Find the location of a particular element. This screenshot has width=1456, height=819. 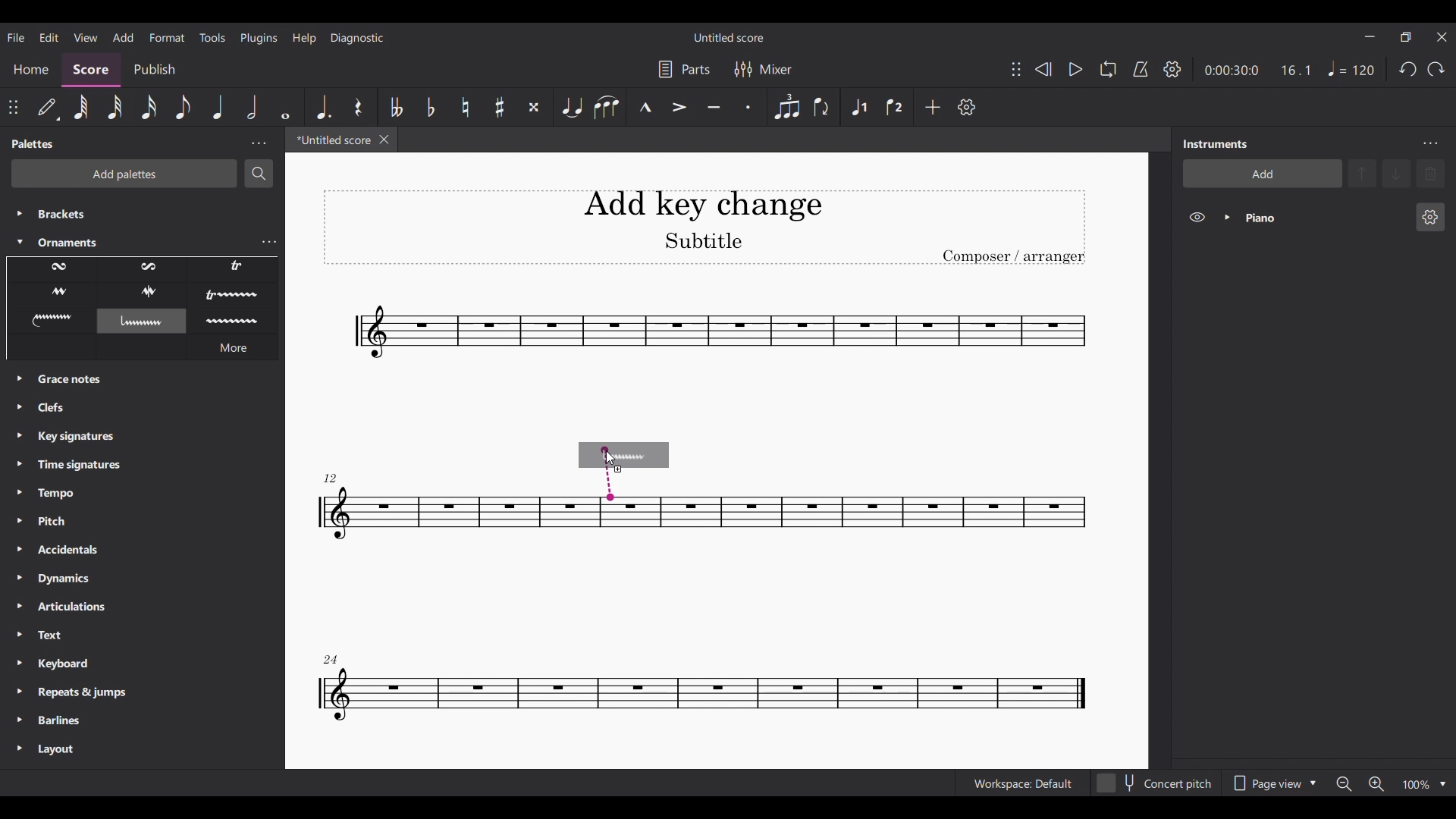

Panel title is located at coordinates (33, 143).